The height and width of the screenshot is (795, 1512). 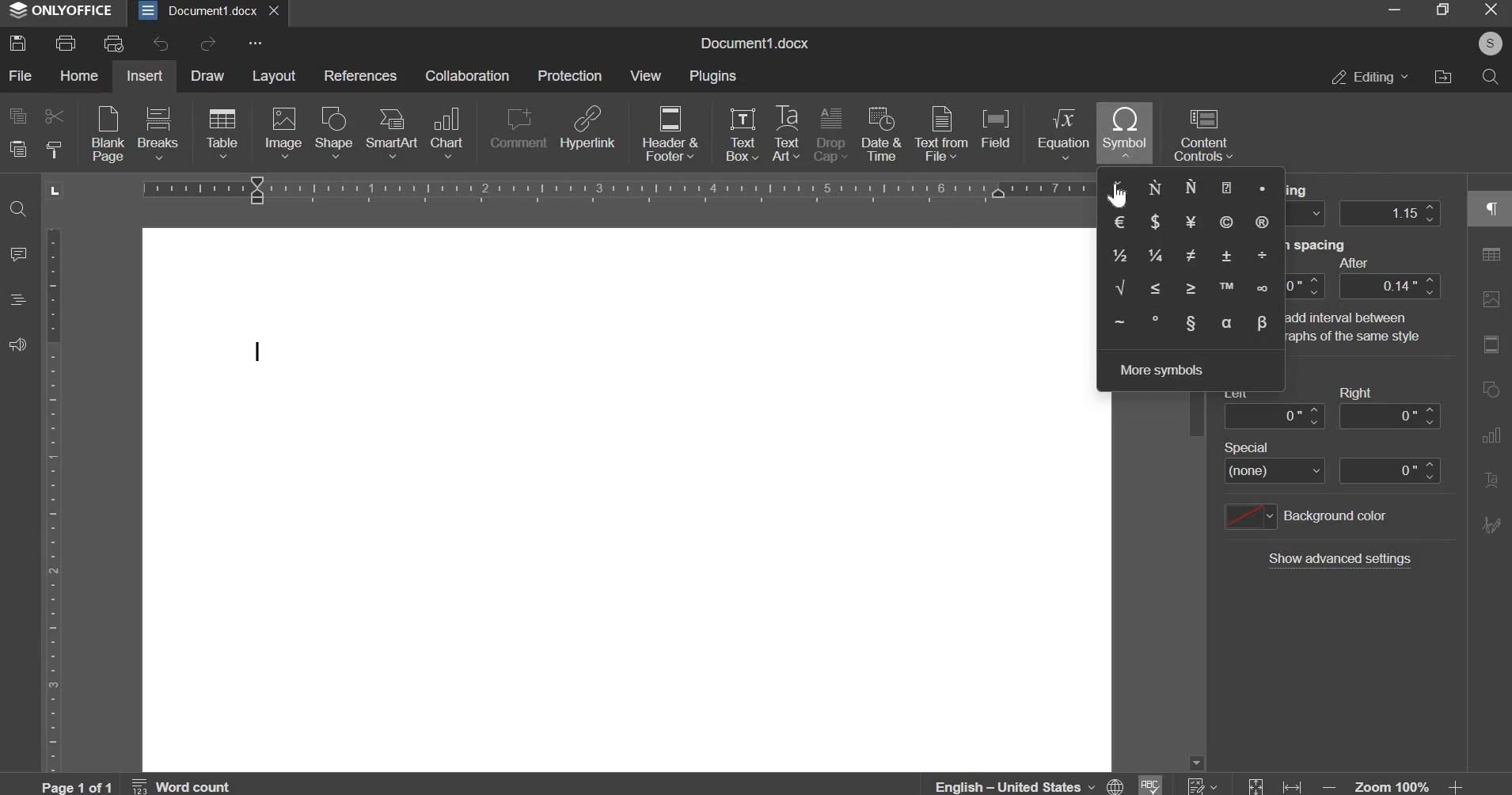 I want to click on protection, so click(x=569, y=75).